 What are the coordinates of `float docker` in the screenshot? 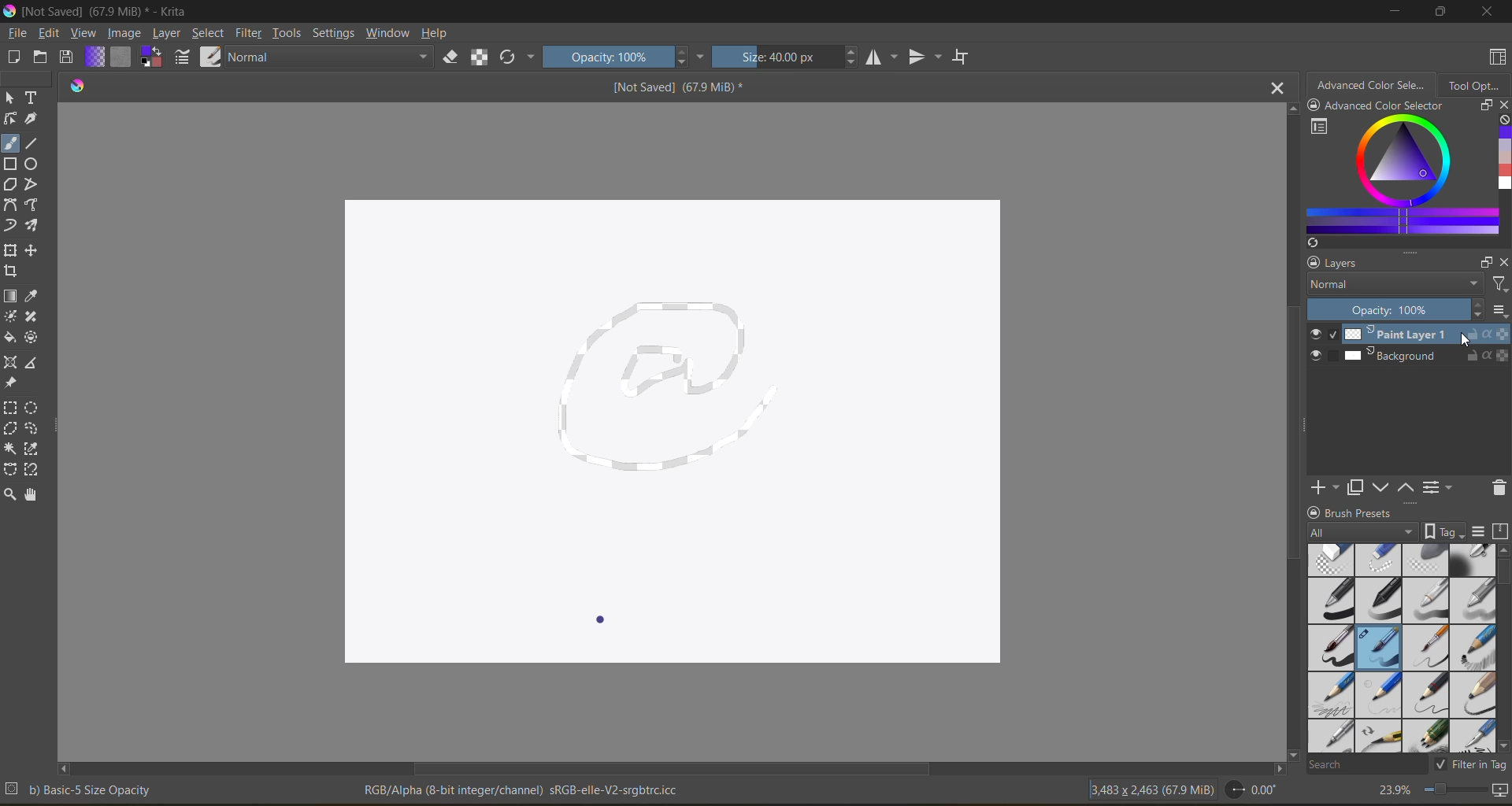 It's located at (1483, 261).